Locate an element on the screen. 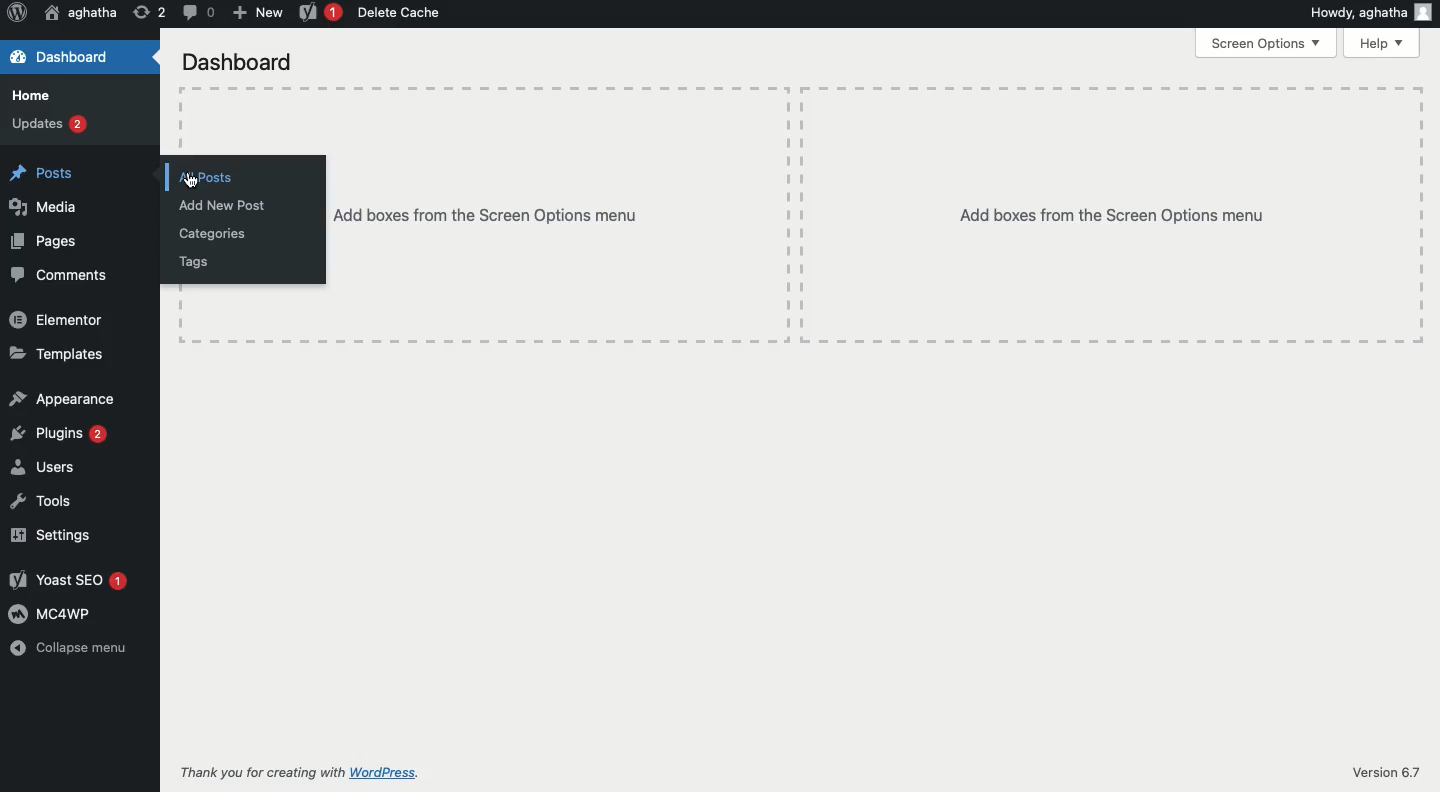  Home is located at coordinates (35, 94).